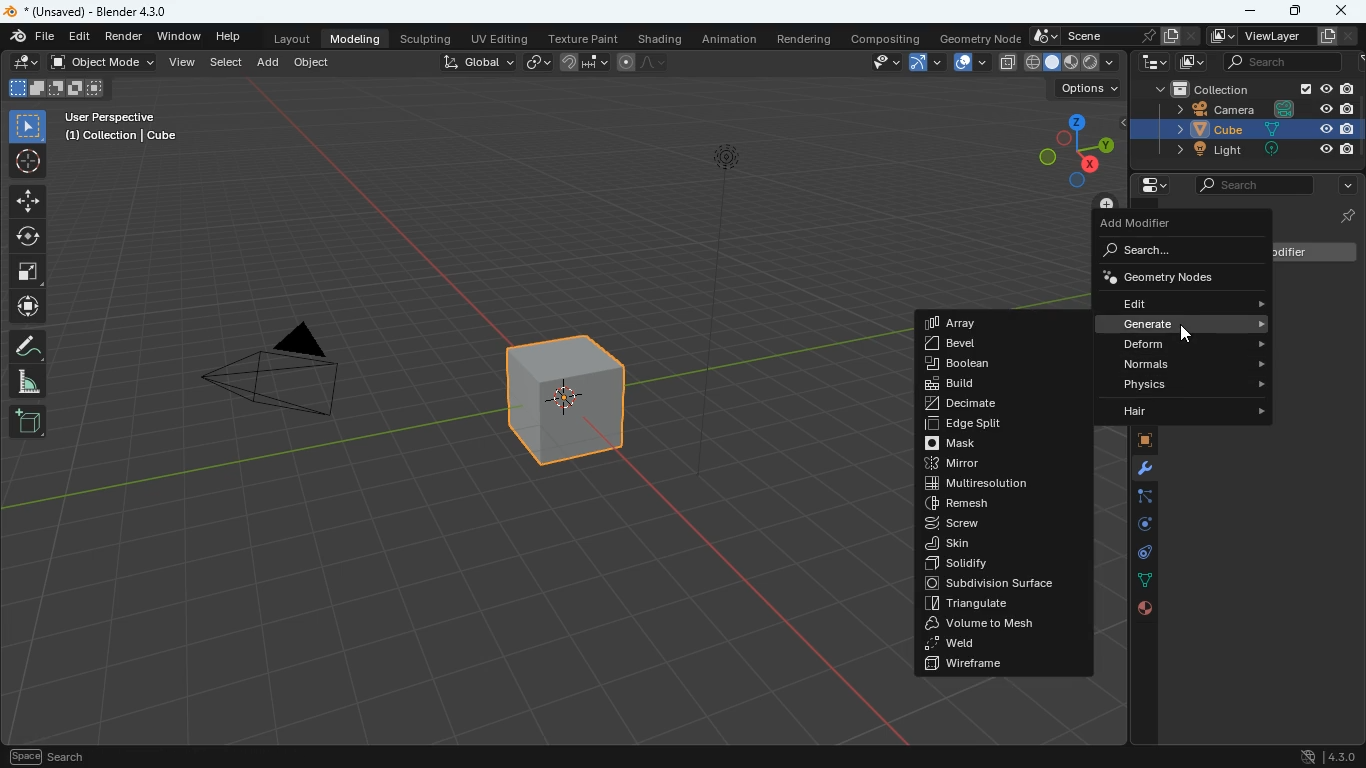  Describe the element at coordinates (1175, 276) in the screenshot. I see `geometry nodes` at that location.